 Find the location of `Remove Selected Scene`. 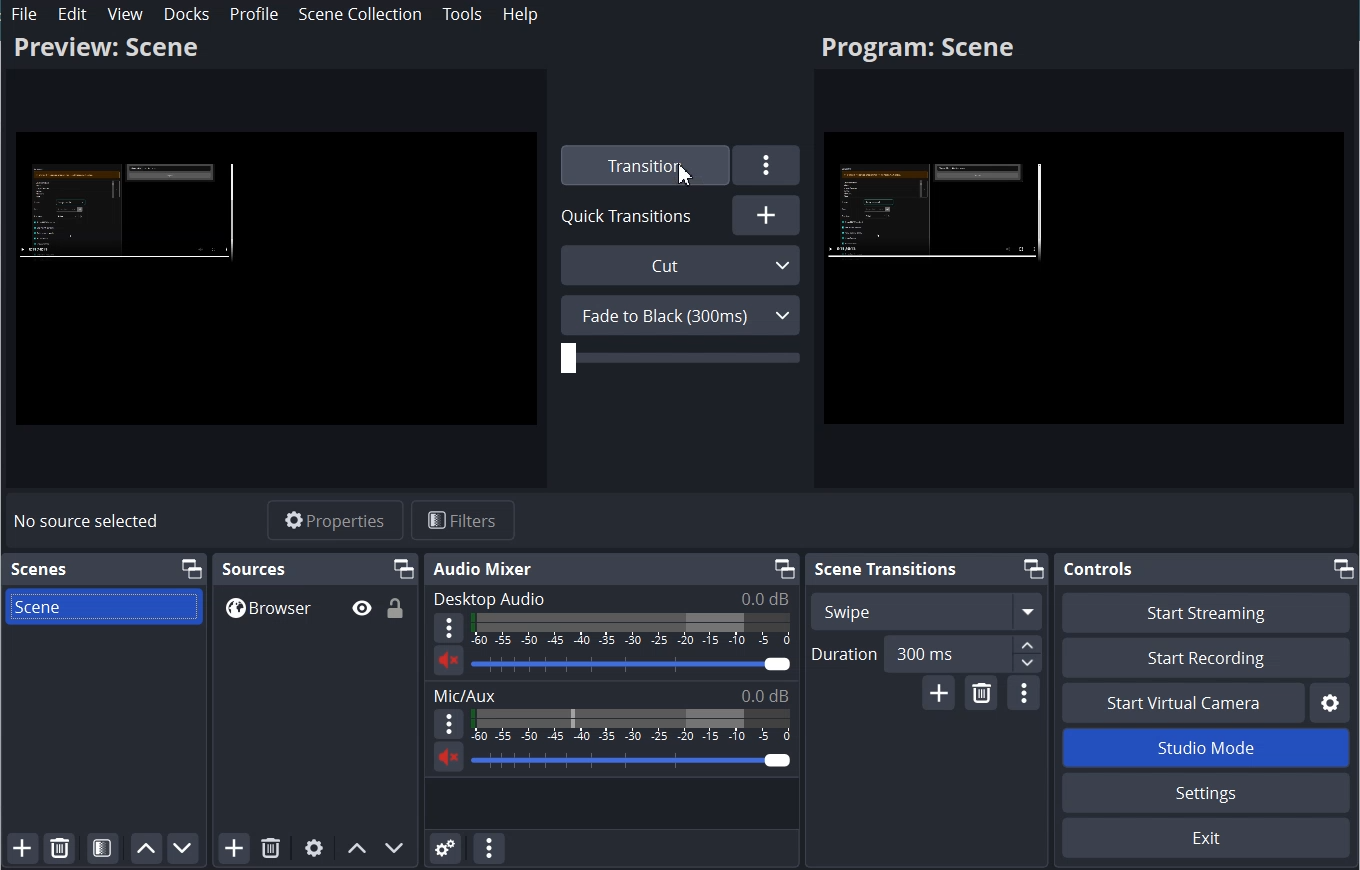

Remove Selected Scene is located at coordinates (60, 847).